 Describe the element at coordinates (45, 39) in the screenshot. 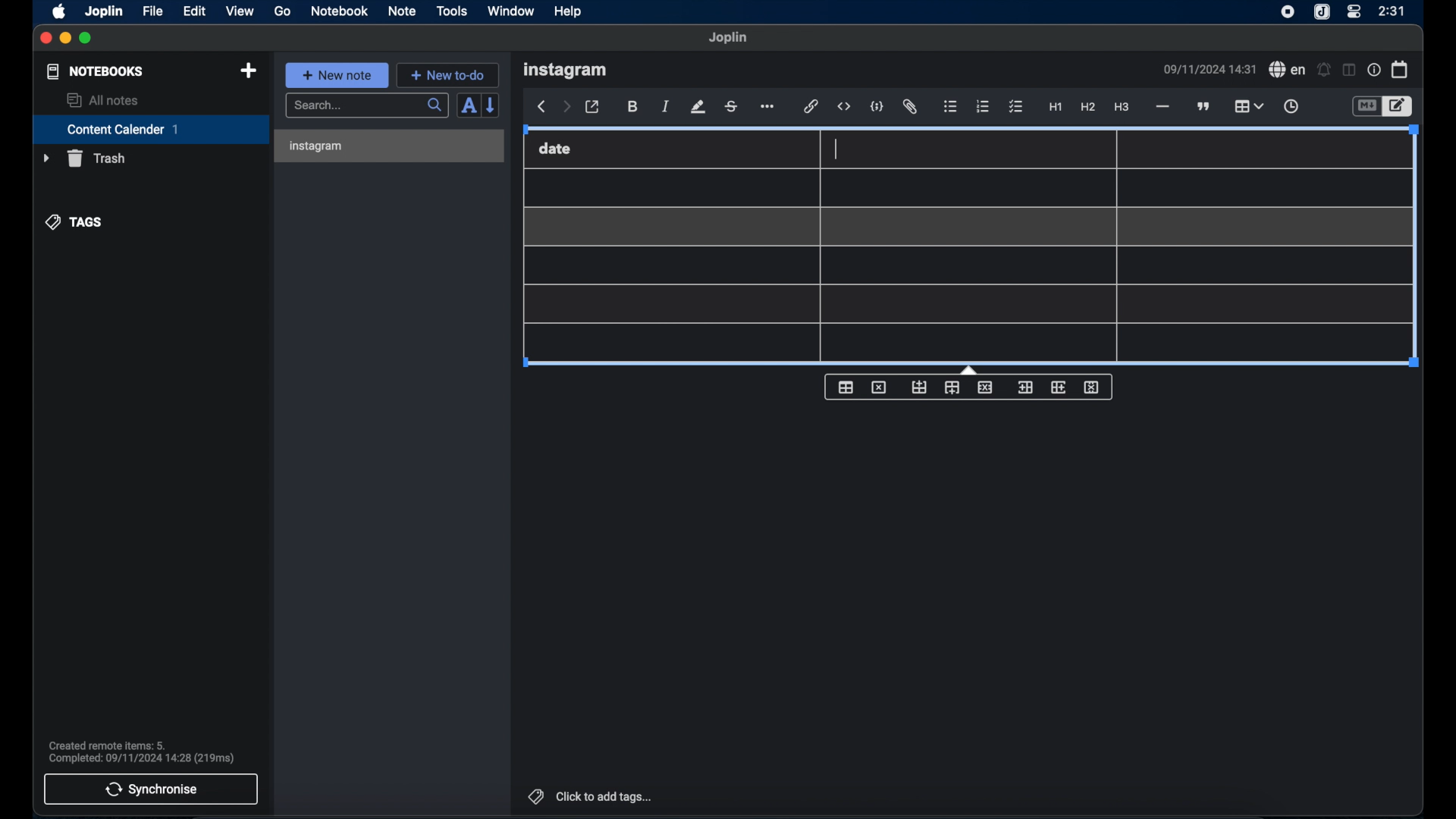

I see `close` at that location.